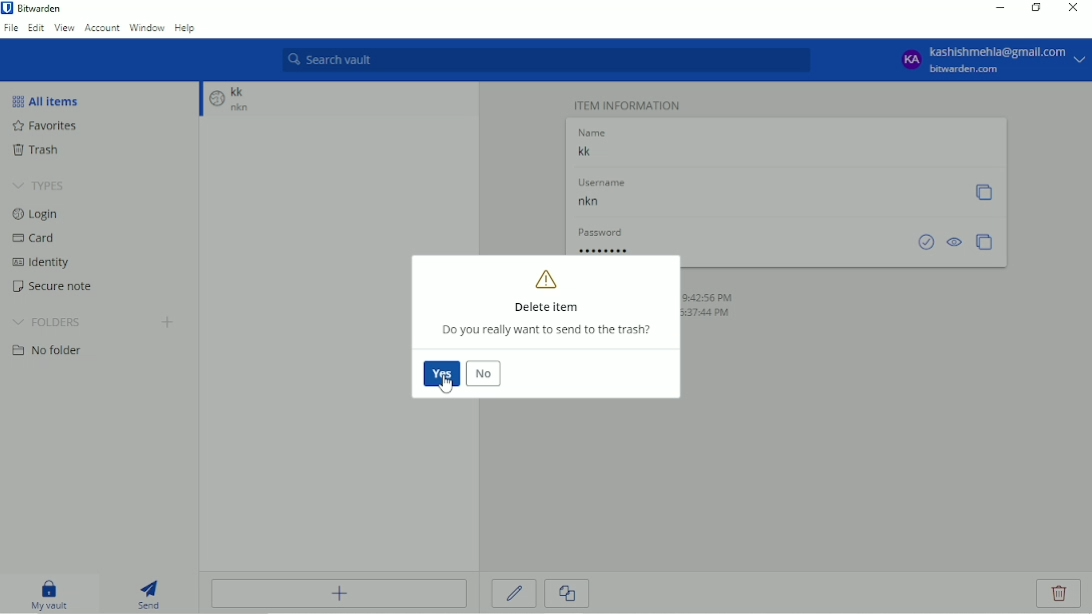 Image resolution: width=1092 pixels, height=614 pixels. I want to click on username, so click(601, 183).